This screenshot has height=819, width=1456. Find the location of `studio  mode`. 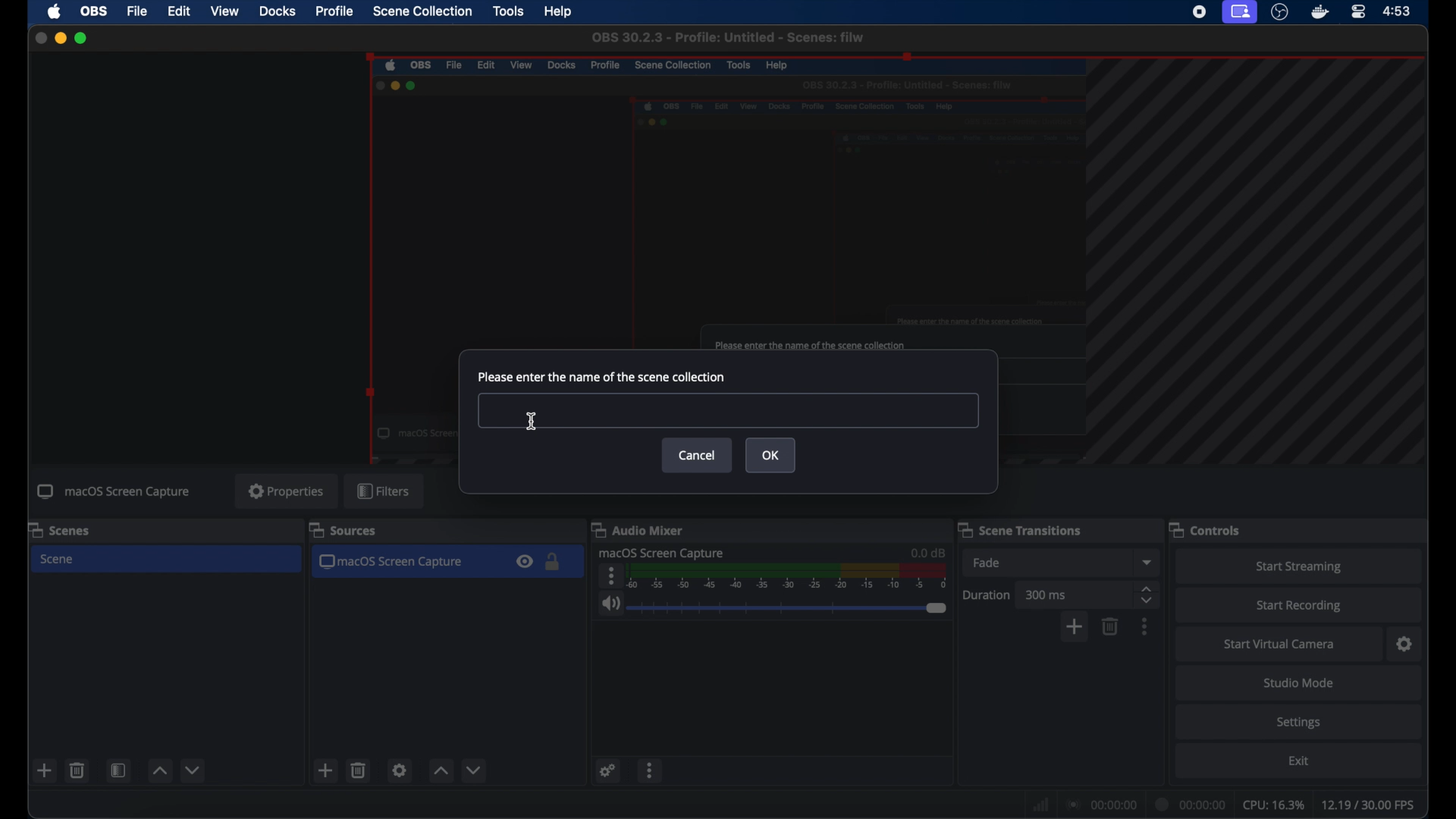

studio  mode is located at coordinates (1297, 682).